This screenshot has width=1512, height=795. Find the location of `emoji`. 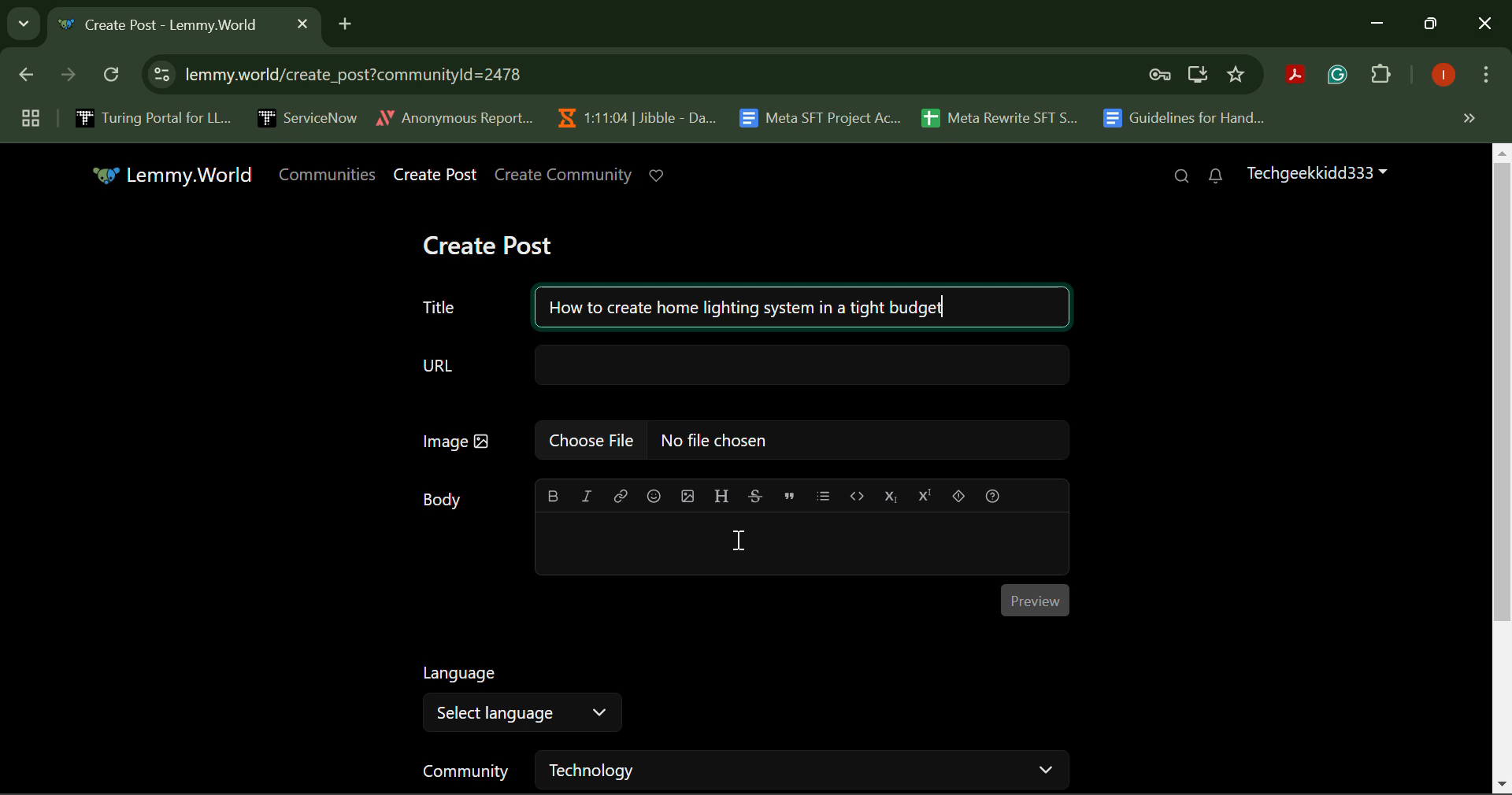

emoji is located at coordinates (655, 496).